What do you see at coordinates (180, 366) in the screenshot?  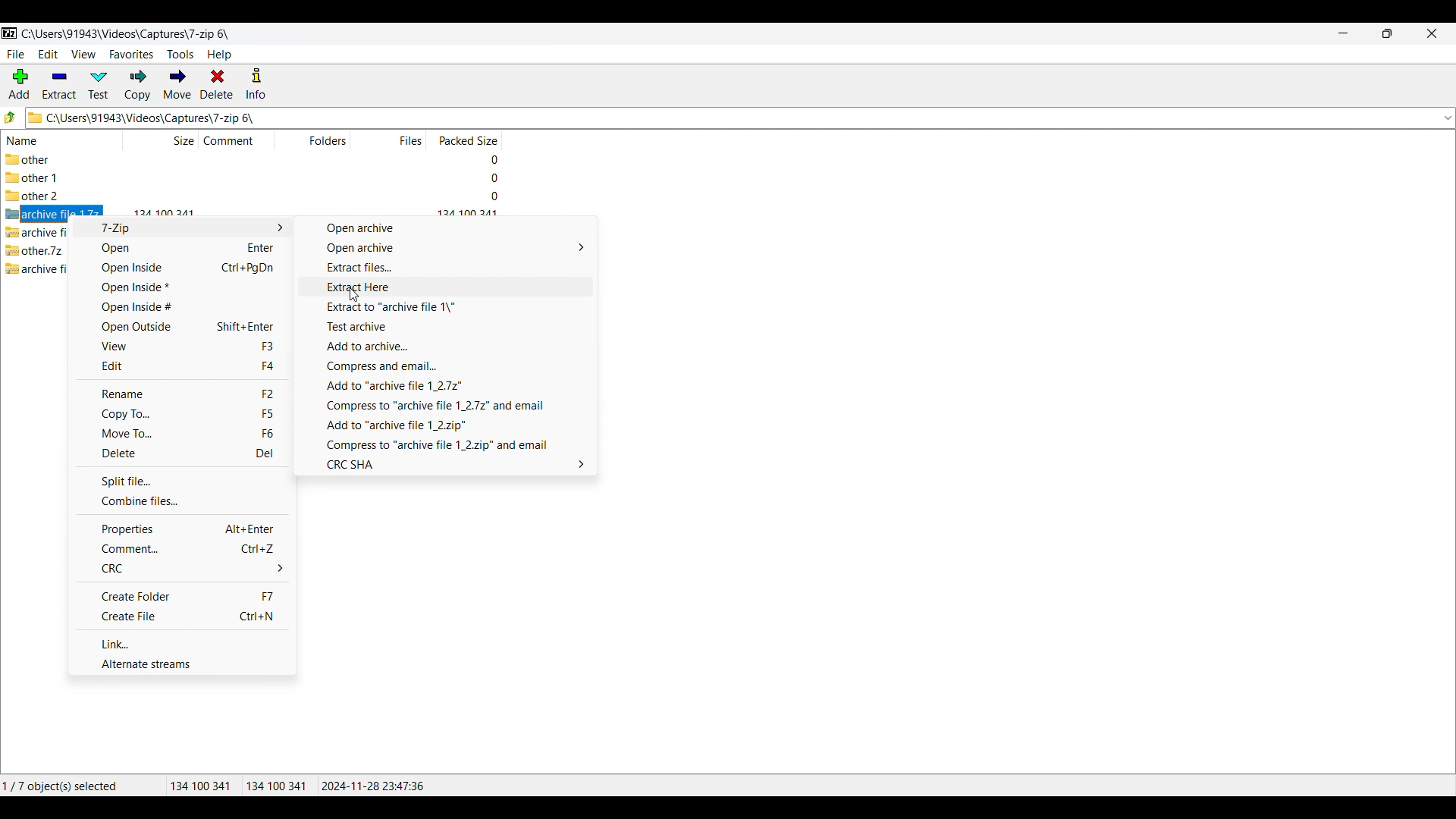 I see `Edit` at bounding box center [180, 366].